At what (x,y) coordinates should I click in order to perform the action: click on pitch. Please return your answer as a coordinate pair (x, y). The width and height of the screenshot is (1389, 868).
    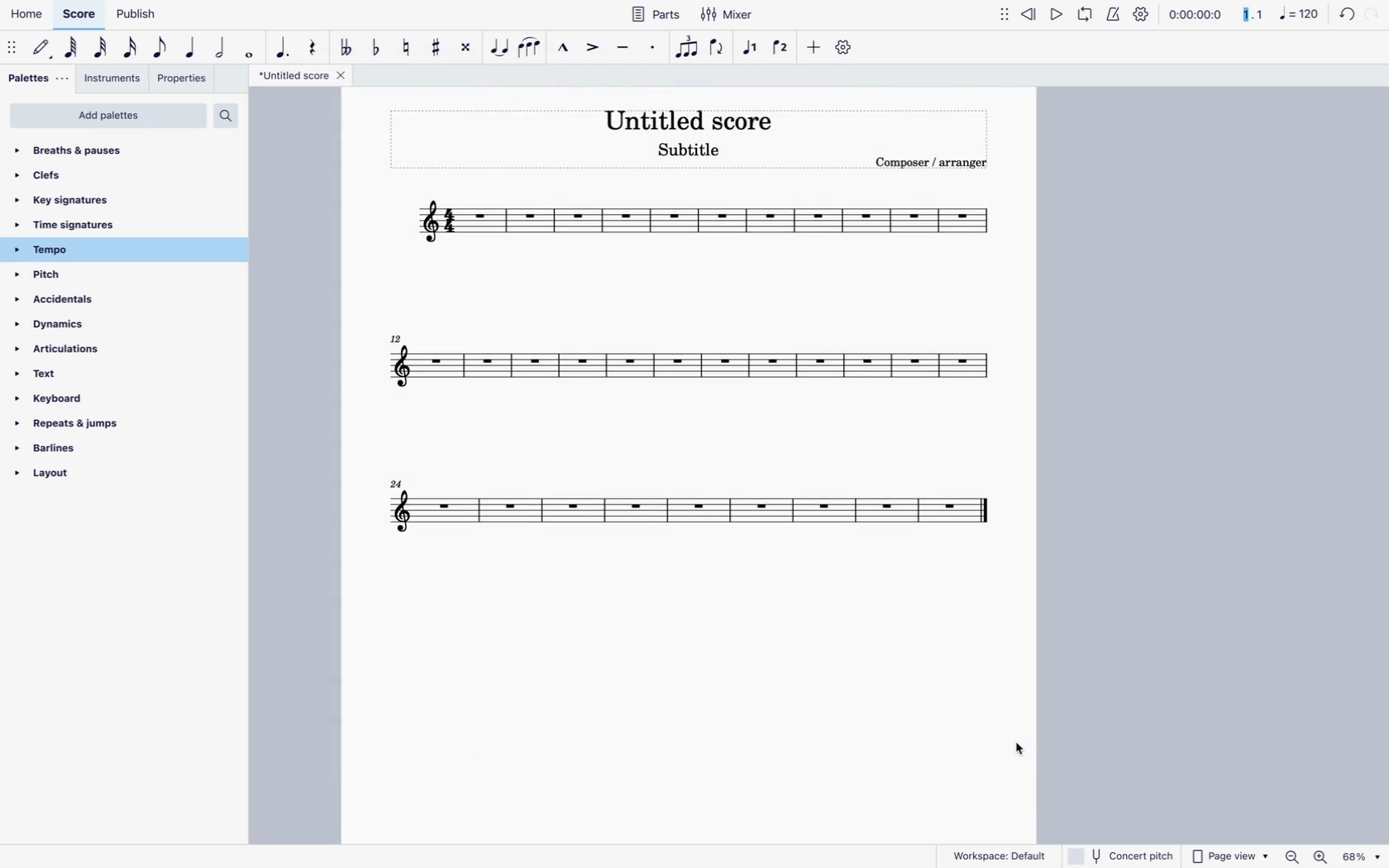
    Looking at the image, I should click on (69, 276).